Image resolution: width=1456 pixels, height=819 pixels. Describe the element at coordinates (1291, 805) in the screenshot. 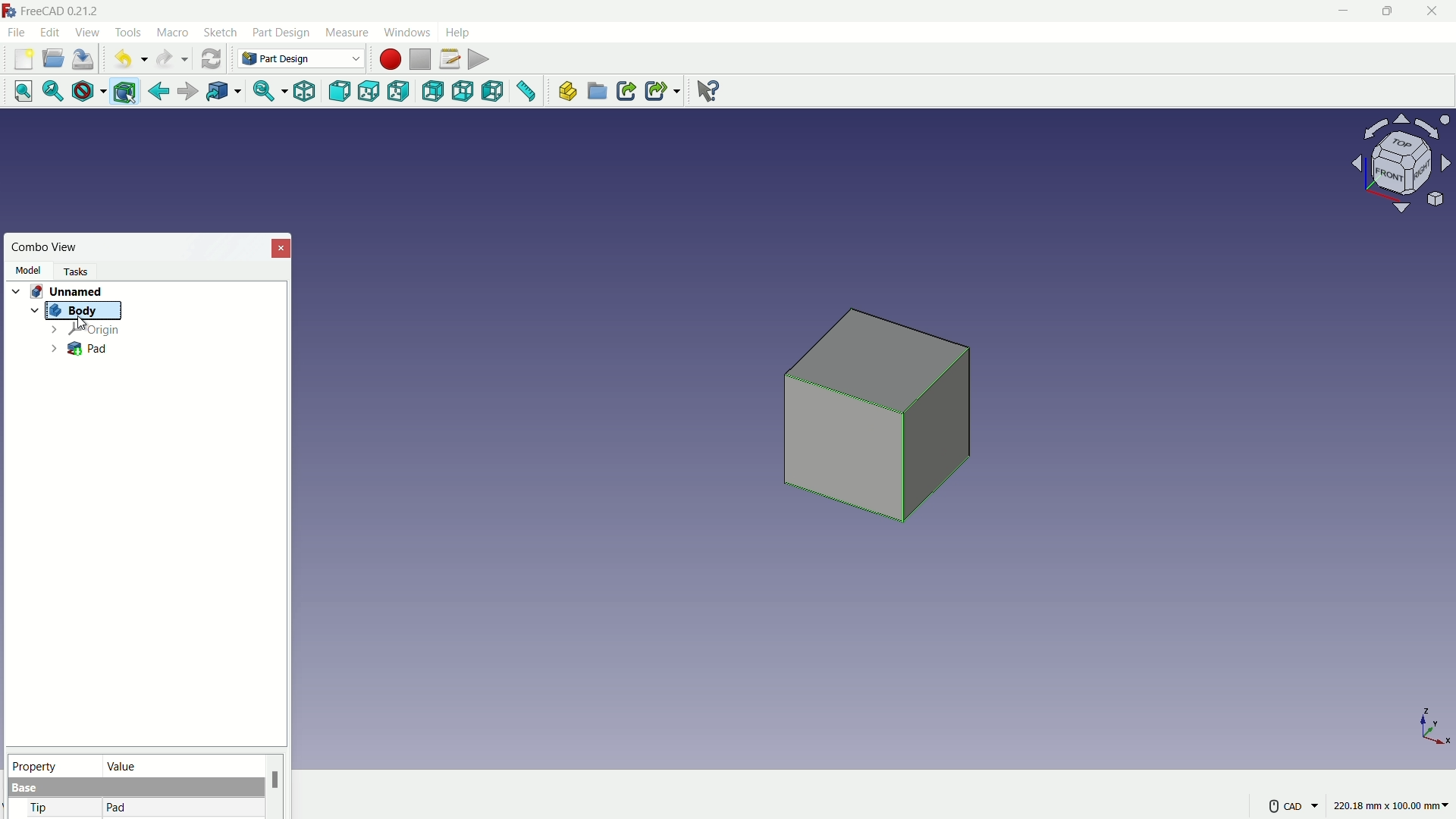

I see `CAD` at that location.